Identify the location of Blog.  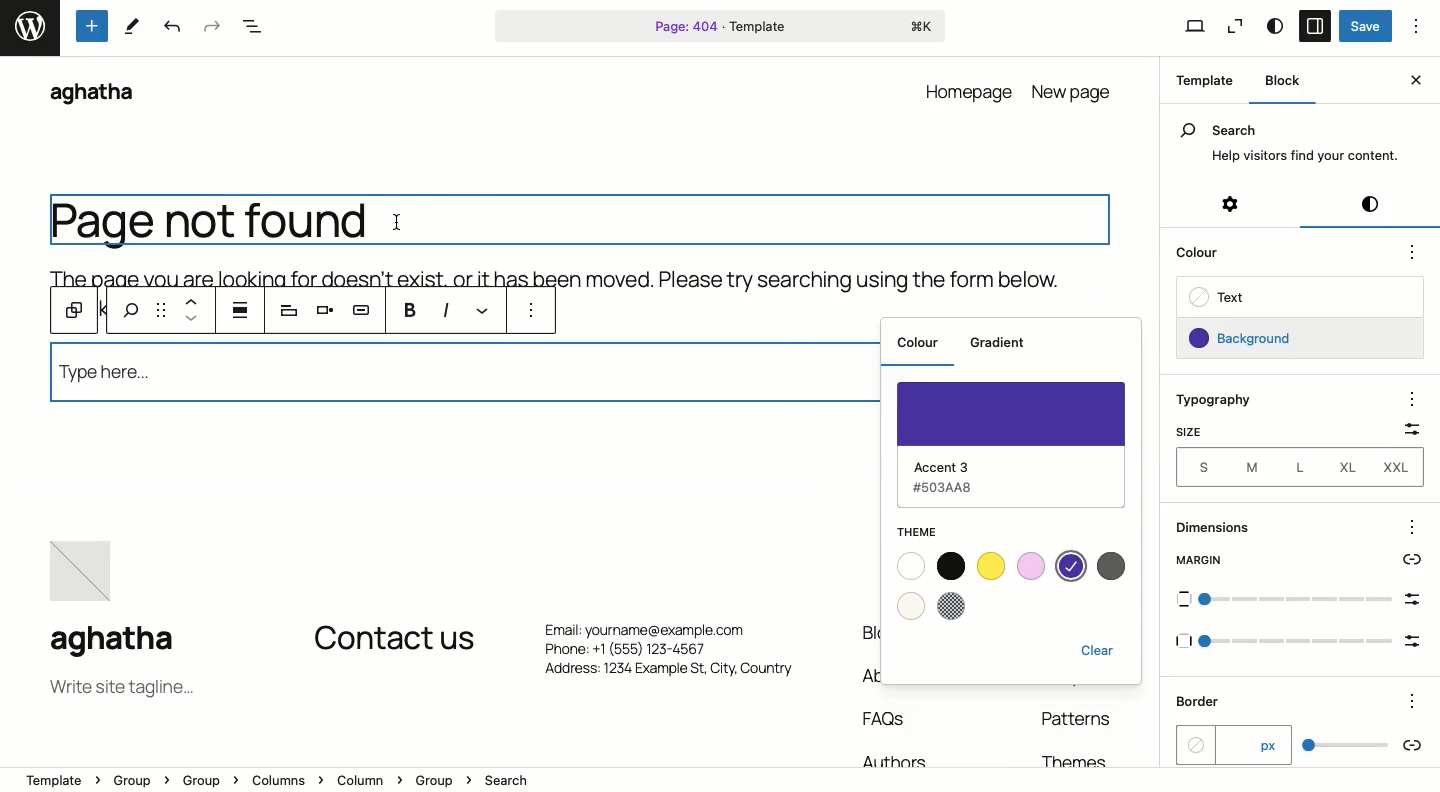
(867, 634).